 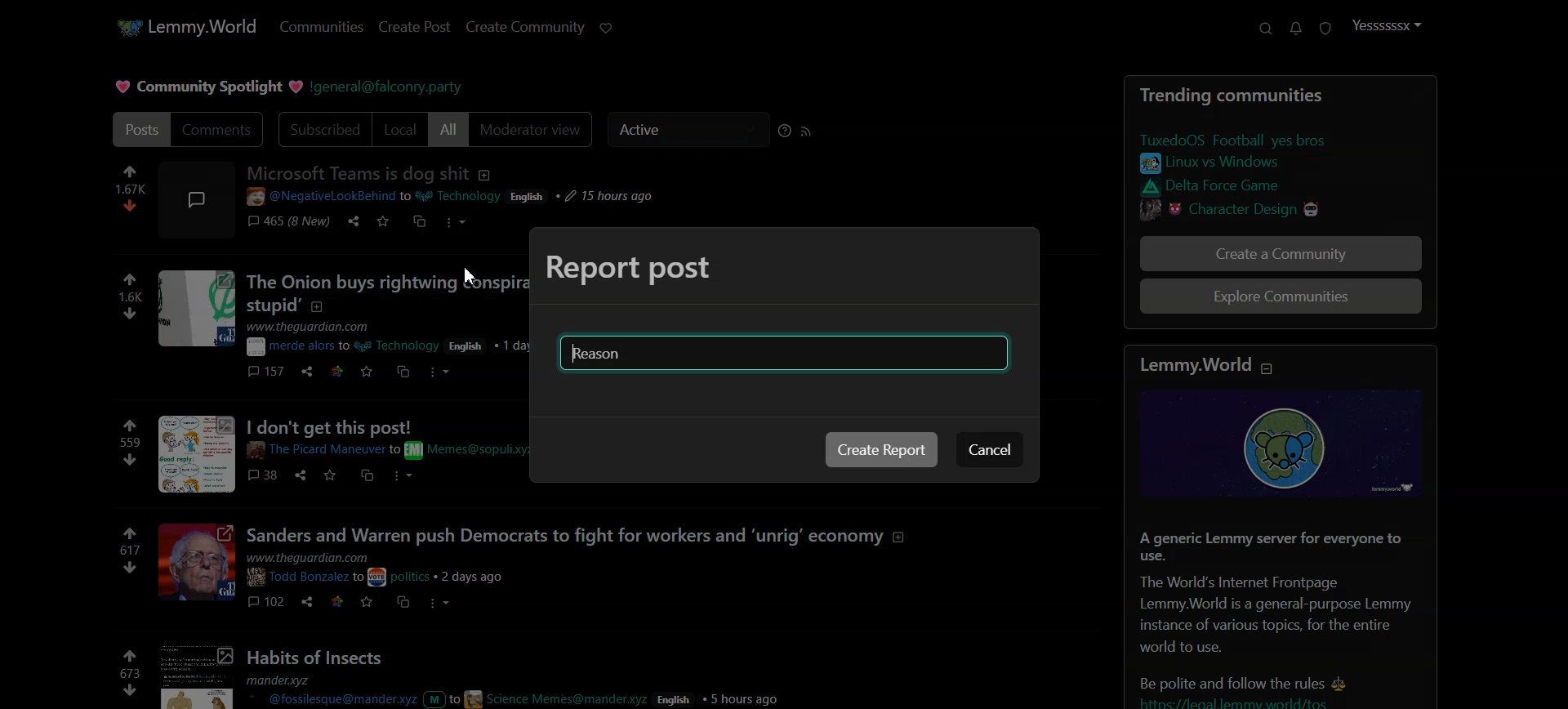 What do you see at coordinates (1296, 29) in the screenshot?
I see `Unread message` at bounding box center [1296, 29].